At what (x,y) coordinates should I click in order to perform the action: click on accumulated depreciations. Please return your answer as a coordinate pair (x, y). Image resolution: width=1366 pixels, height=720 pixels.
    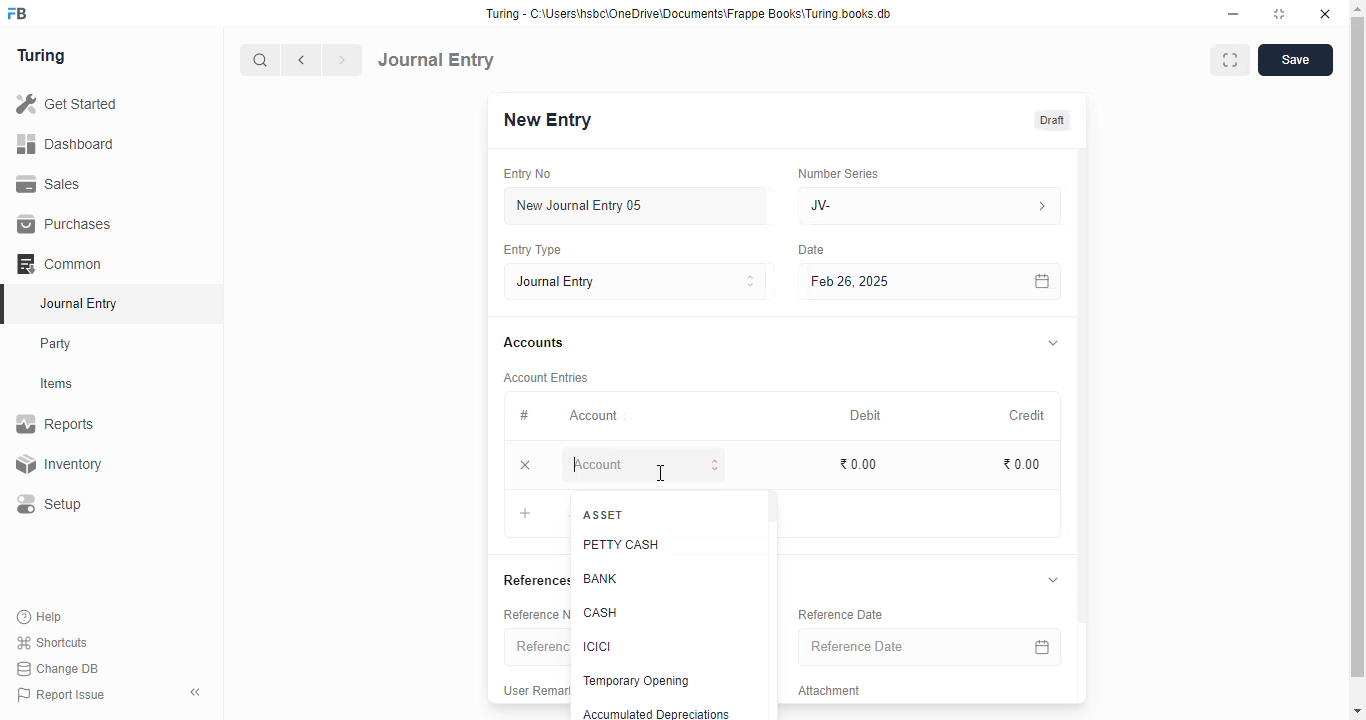
    Looking at the image, I should click on (656, 713).